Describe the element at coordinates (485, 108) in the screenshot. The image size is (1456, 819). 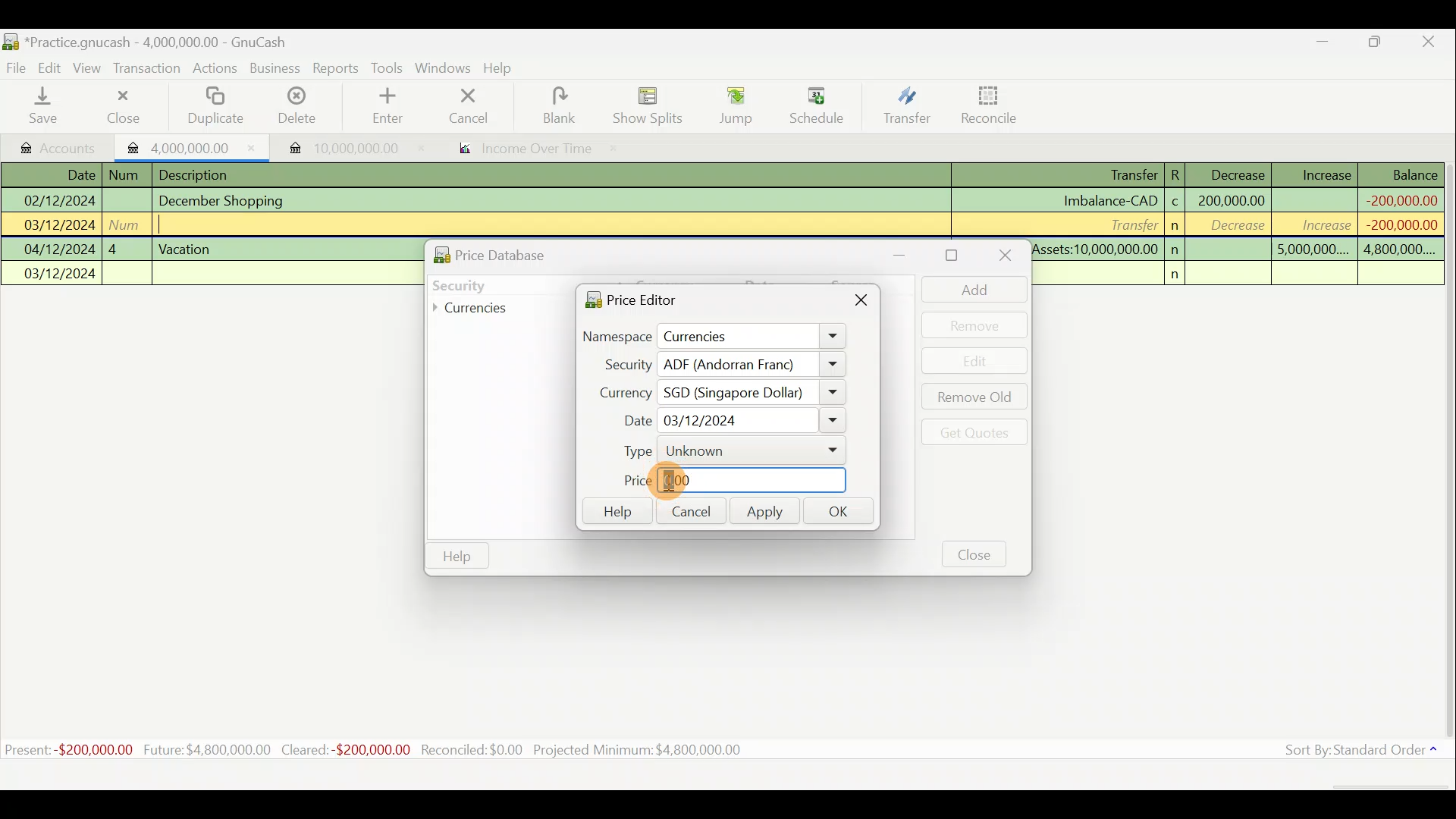
I see `cancel` at that location.